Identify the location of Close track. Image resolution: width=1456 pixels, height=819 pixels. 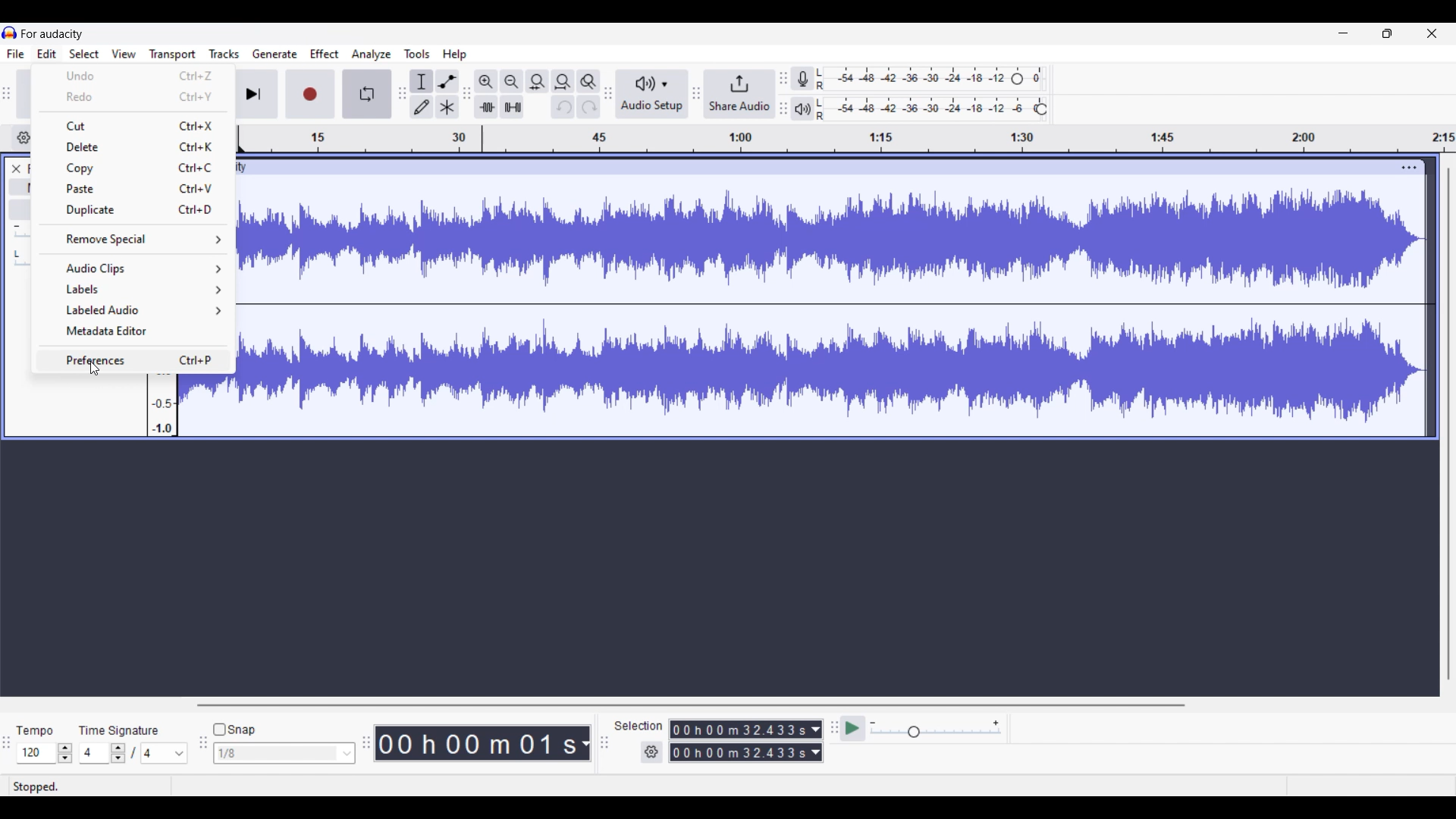
(17, 169).